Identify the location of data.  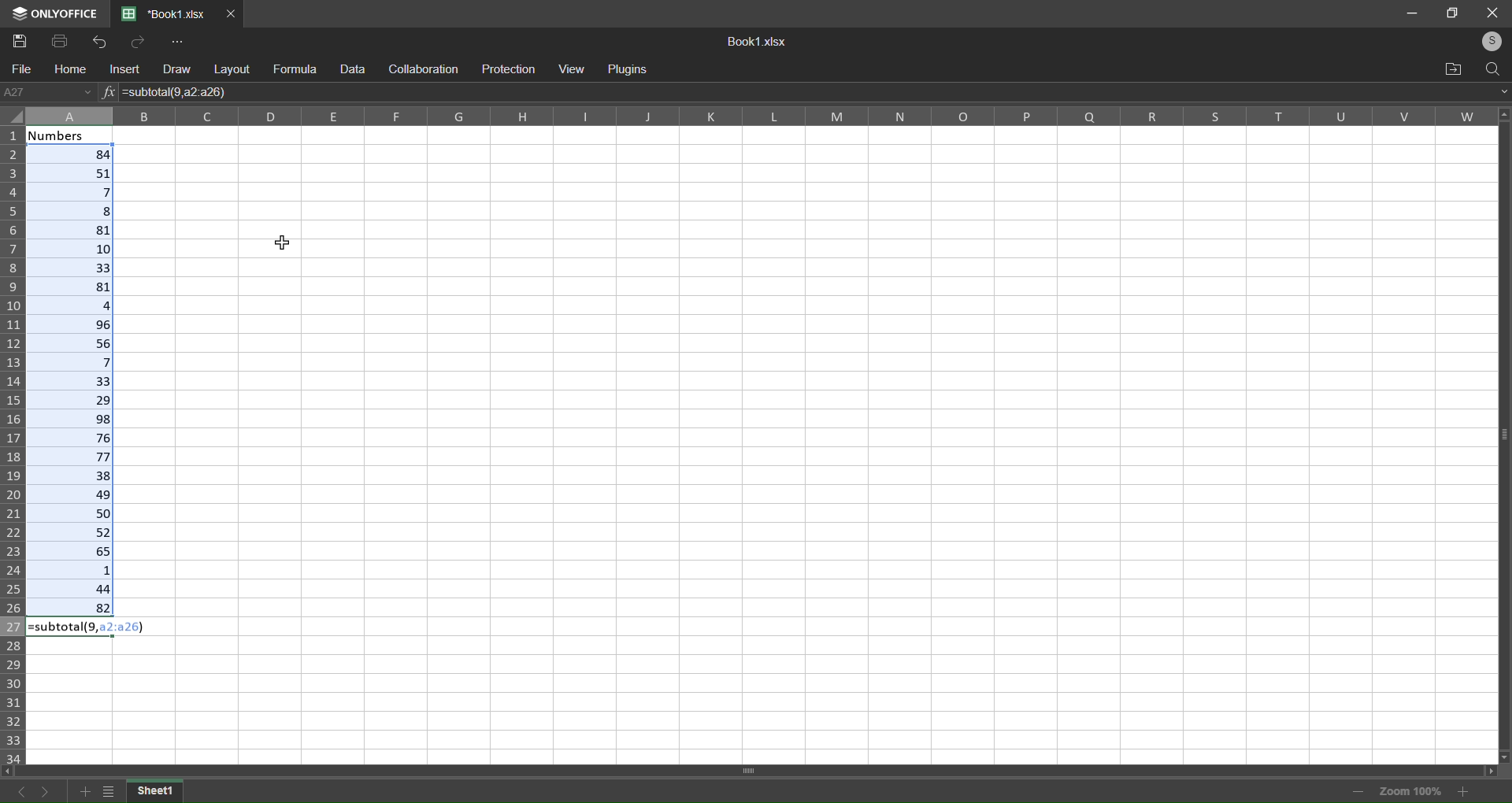
(354, 69).